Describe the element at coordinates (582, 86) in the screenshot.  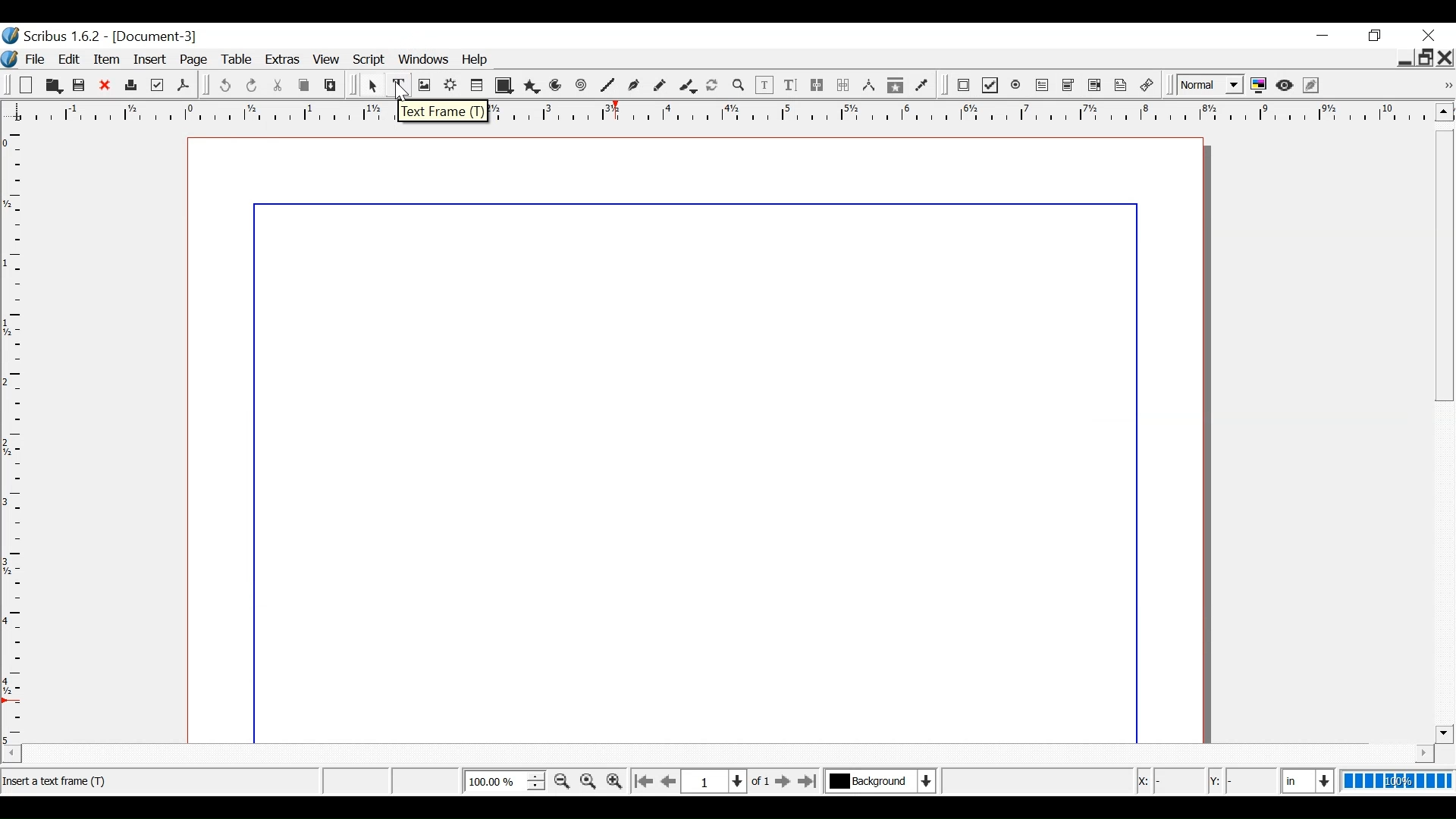
I see `Spiral` at that location.